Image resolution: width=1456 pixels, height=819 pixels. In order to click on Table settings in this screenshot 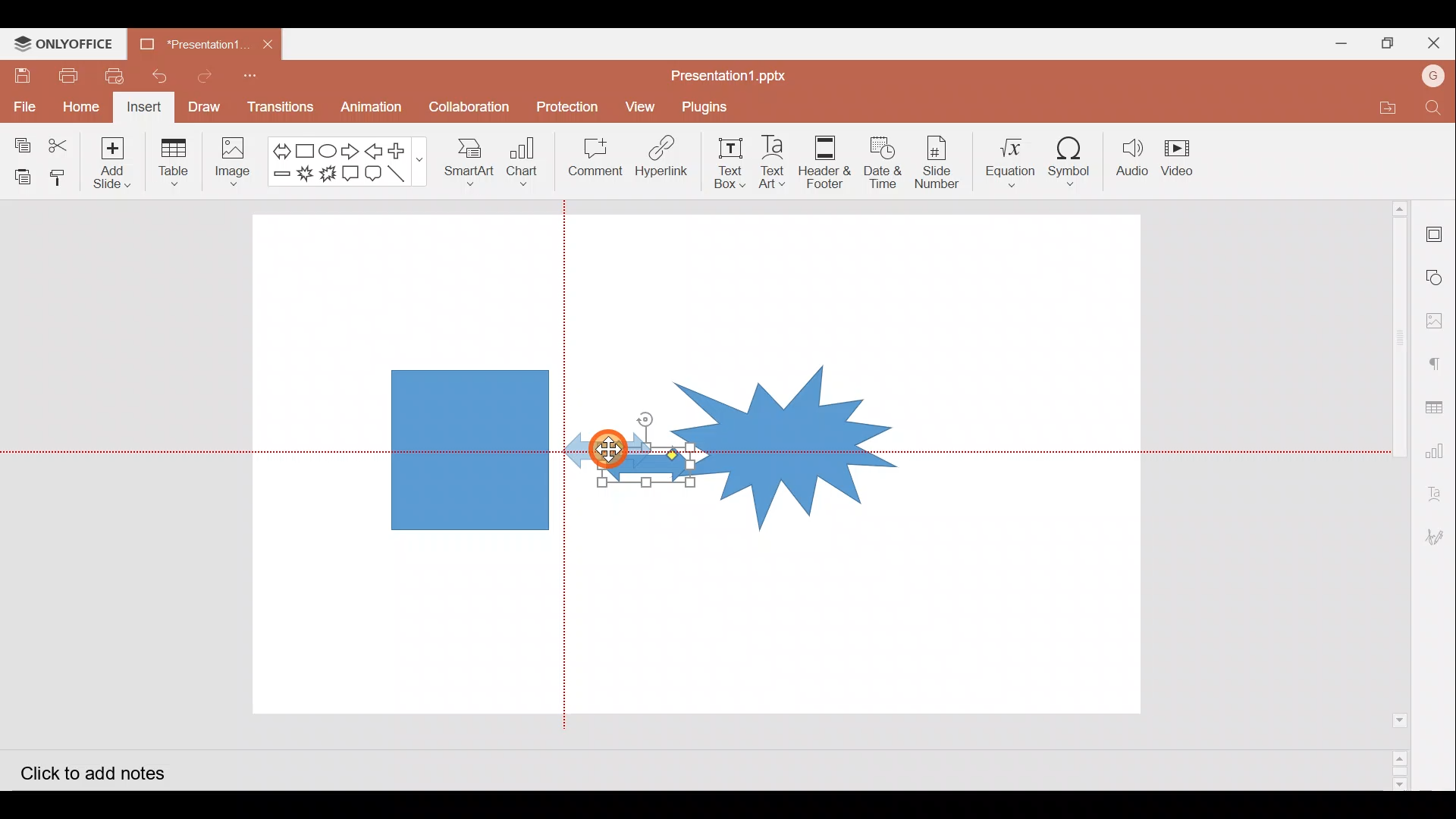, I will do `click(1436, 403)`.